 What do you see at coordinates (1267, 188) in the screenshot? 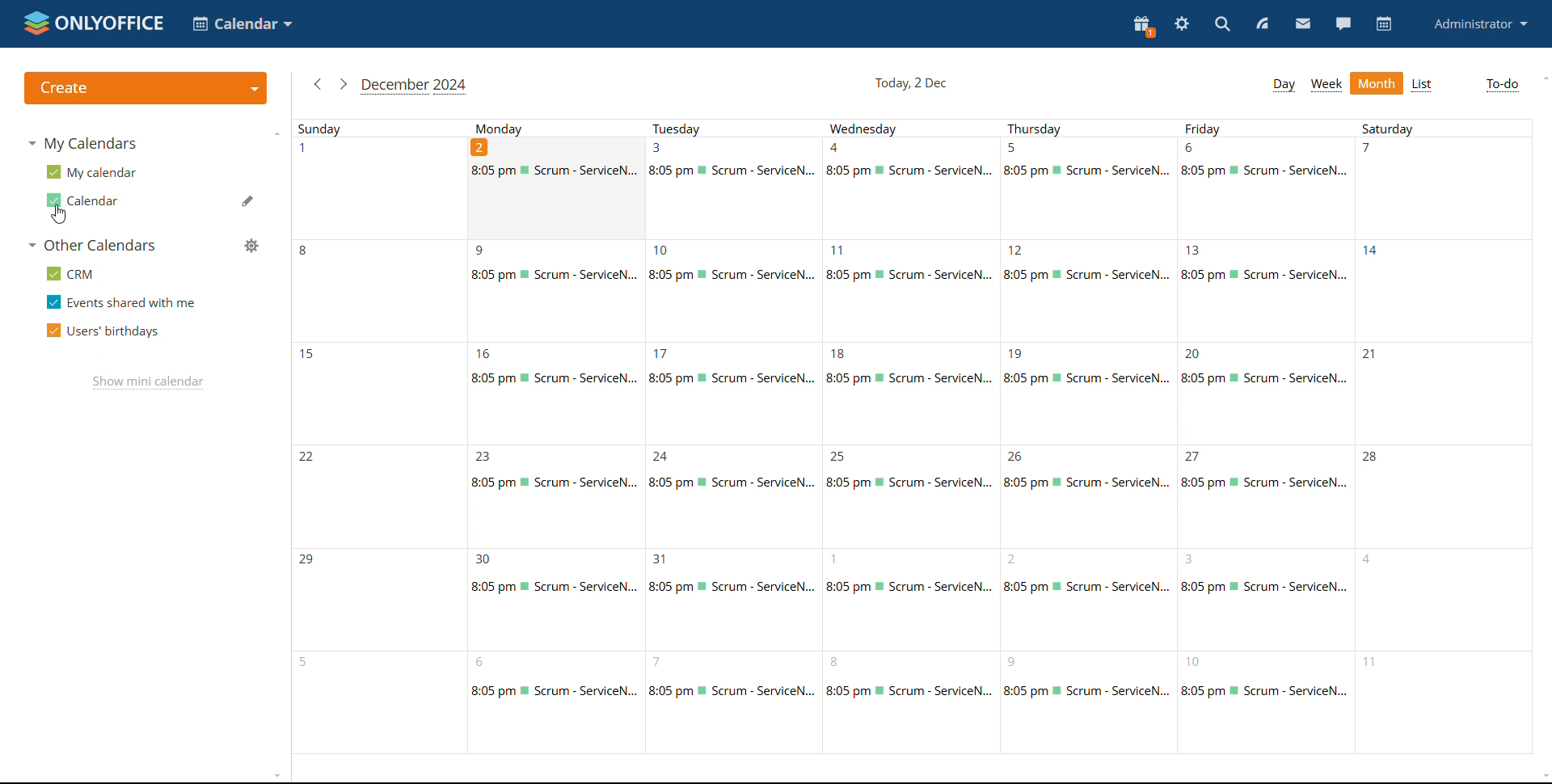
I see `6` at bounding box center [1267, 188].